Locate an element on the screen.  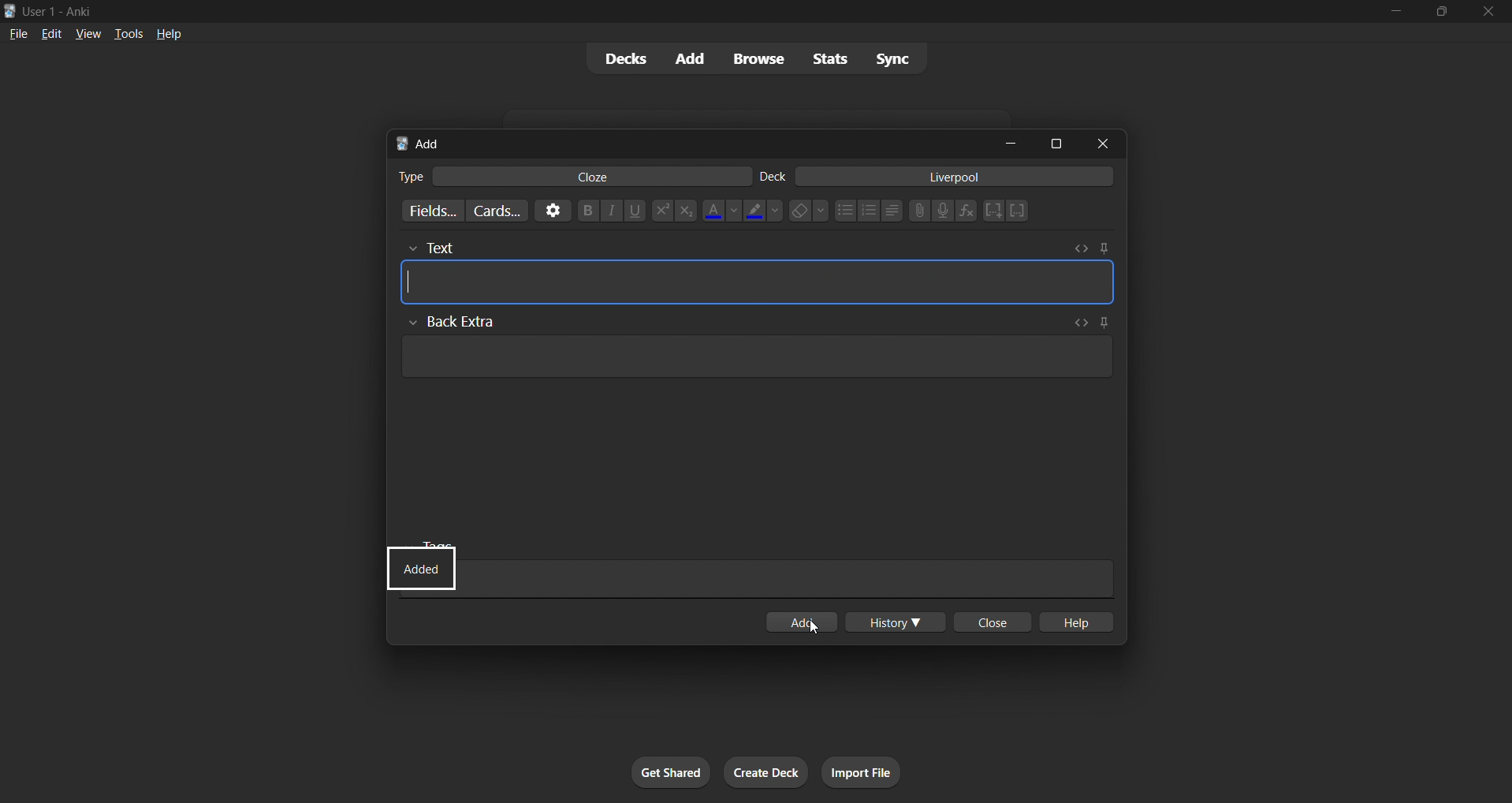
sync is located at coordinates (892, 58).